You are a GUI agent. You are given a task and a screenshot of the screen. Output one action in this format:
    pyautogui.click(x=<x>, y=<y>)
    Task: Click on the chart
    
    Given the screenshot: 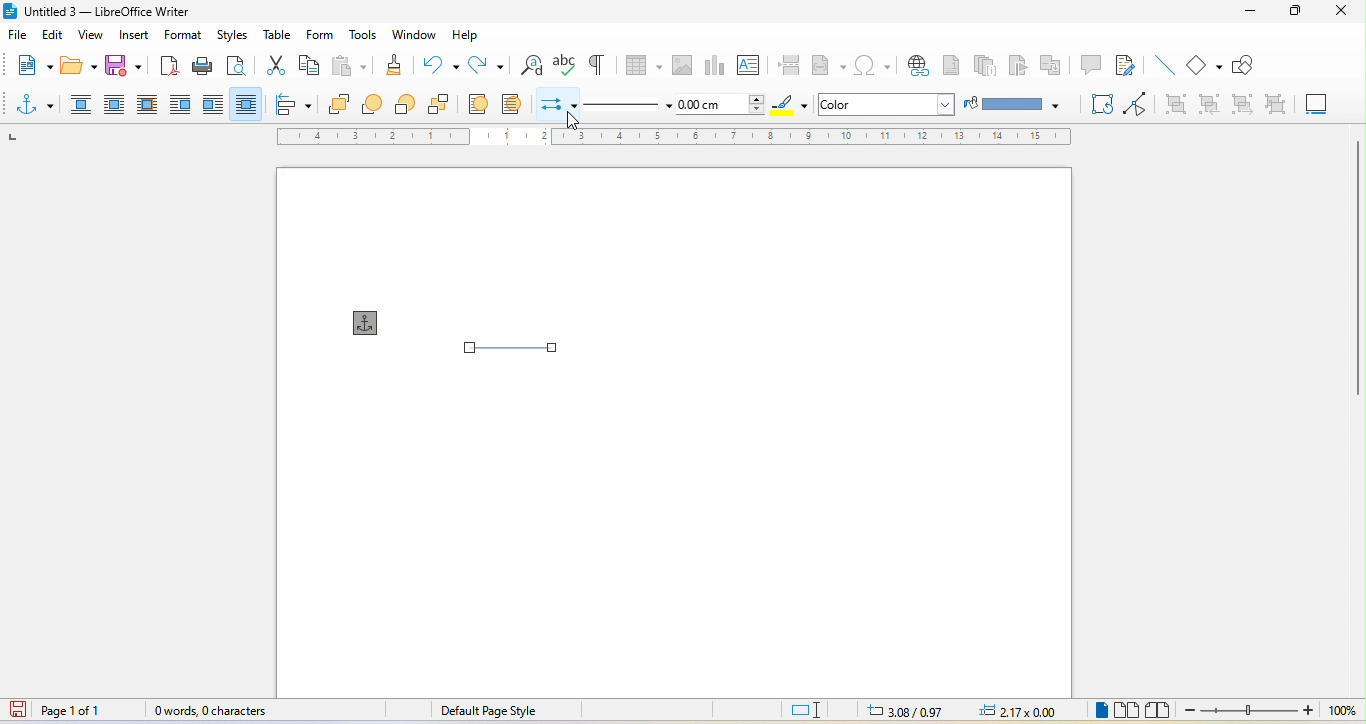 What is the action you would take?
    pyautogui.click(x=714, y=64)
    